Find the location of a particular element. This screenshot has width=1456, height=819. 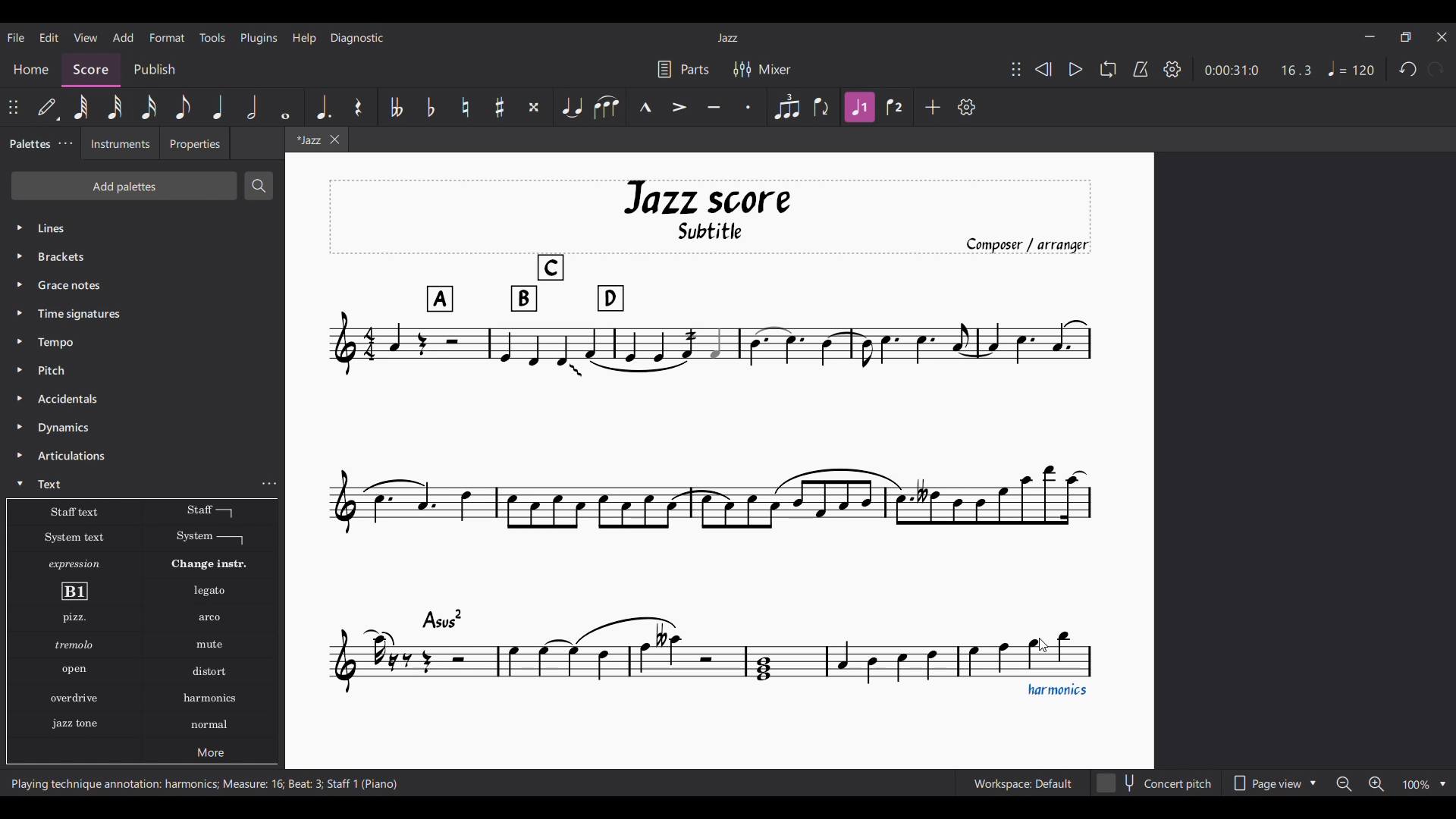

Redo is located at coordinates (1436, 69).